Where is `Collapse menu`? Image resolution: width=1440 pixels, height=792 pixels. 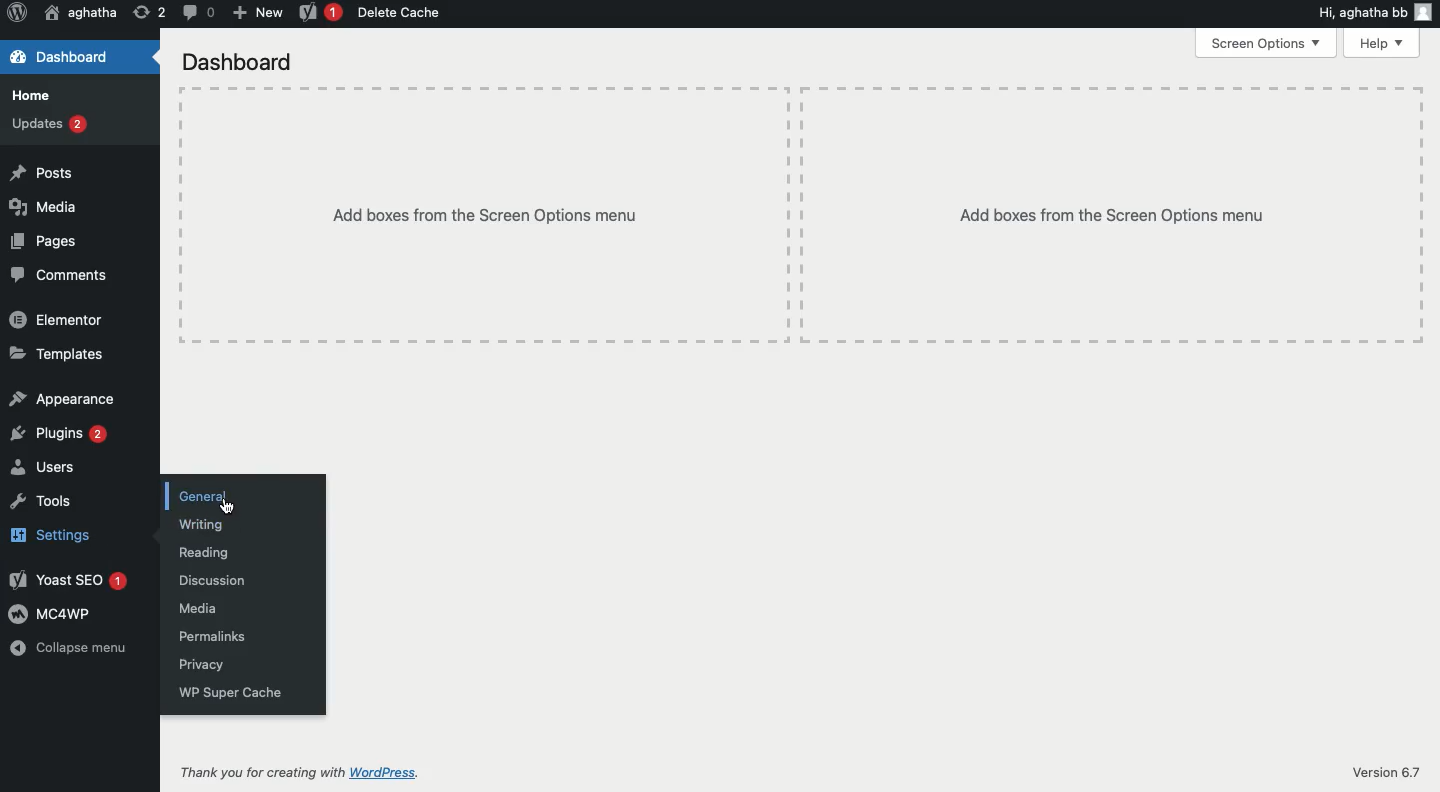
Collapse menu is located at coordinates (67, 648).